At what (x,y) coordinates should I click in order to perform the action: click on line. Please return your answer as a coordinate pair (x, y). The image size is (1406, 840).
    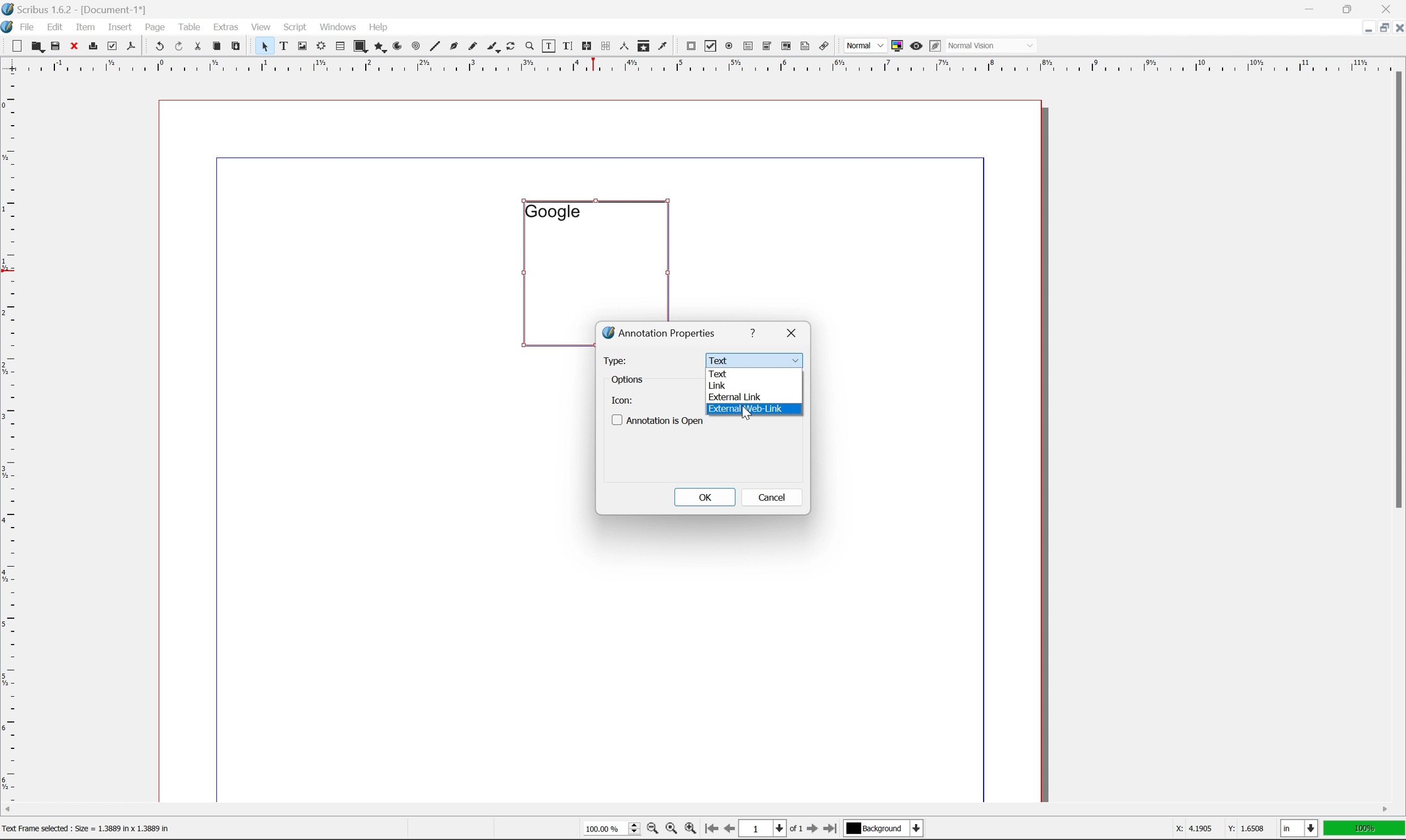
    Looking at the image, I should click on (435, 47).